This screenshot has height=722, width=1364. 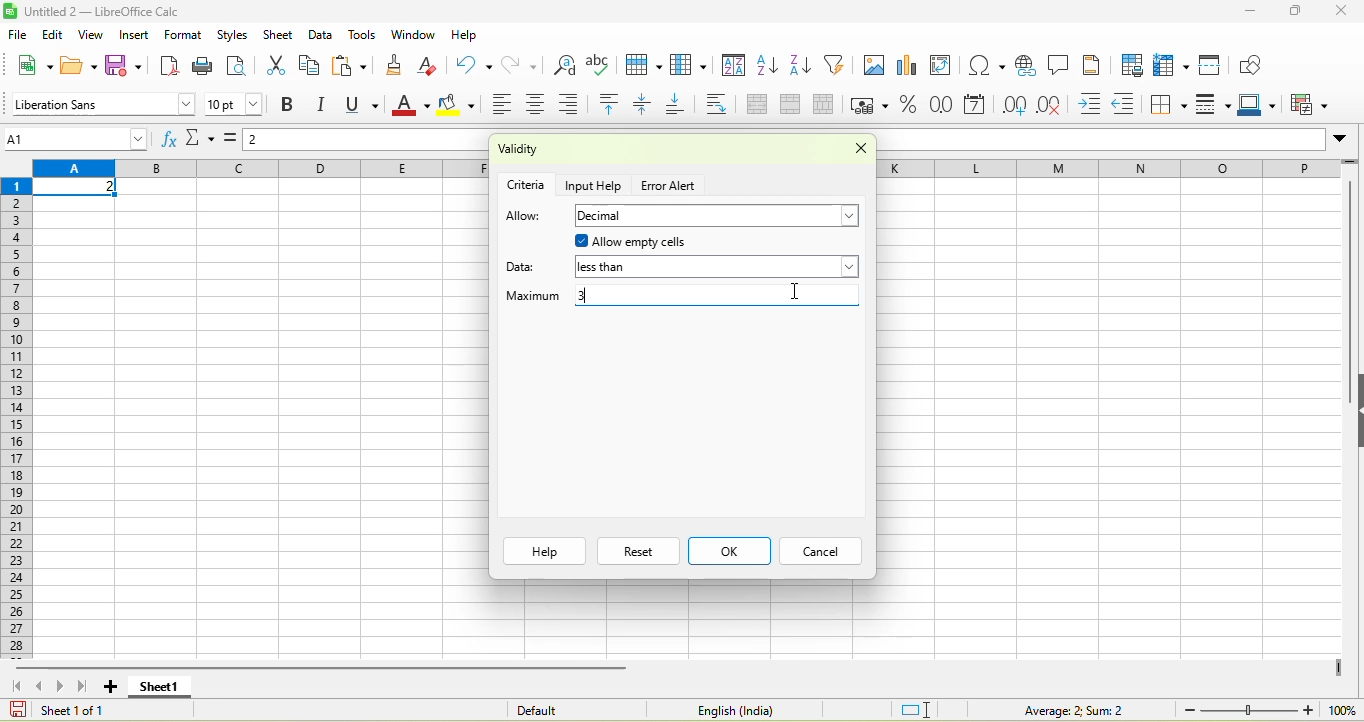 What do you see at coordinates (1093, 64) in the screenshot?
I see `headers and footers` at bounding box center [1093, 64].